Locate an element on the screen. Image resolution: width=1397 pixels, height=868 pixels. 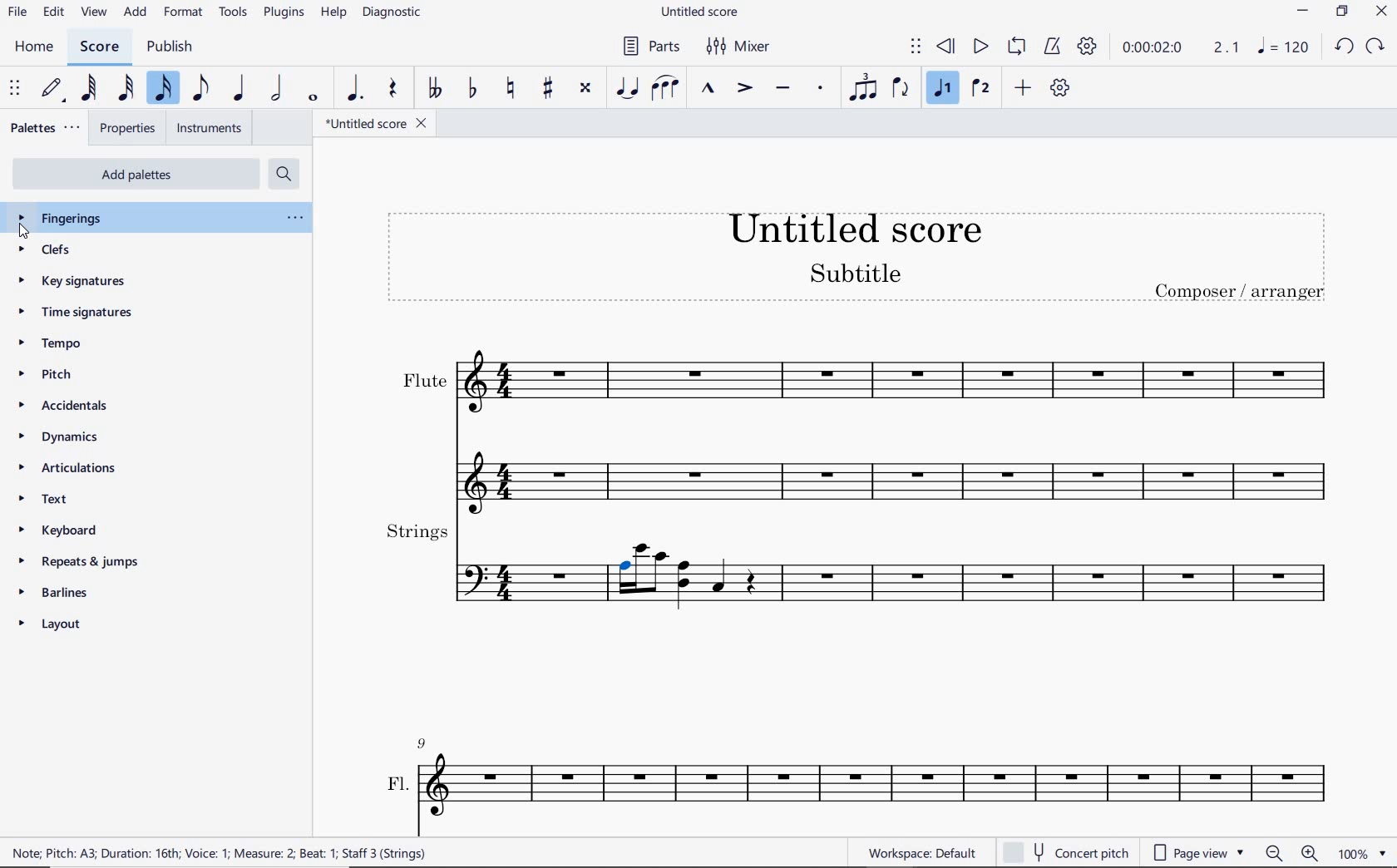
score is located at coordinates (97, 47).